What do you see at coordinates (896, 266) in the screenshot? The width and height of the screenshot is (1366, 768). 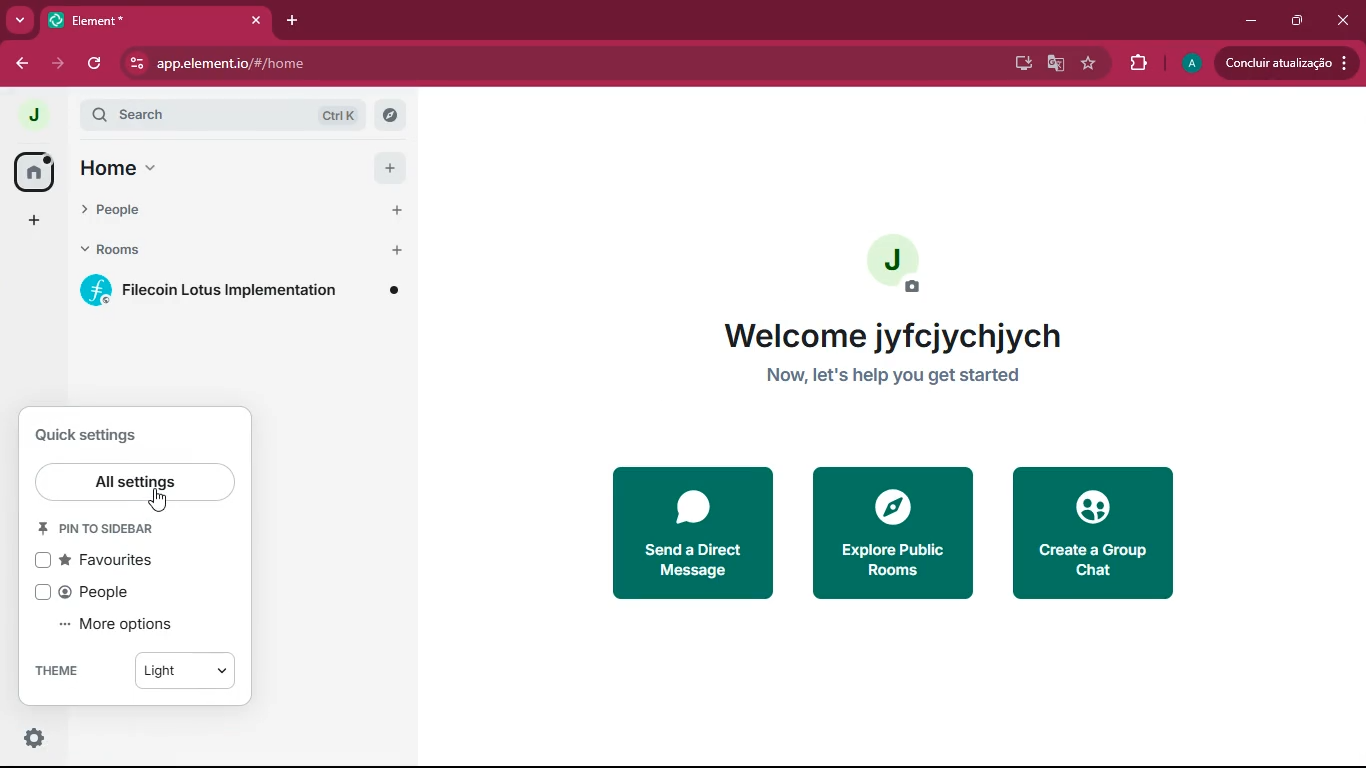 I see `profile picture` at bounding box center [896, 266].